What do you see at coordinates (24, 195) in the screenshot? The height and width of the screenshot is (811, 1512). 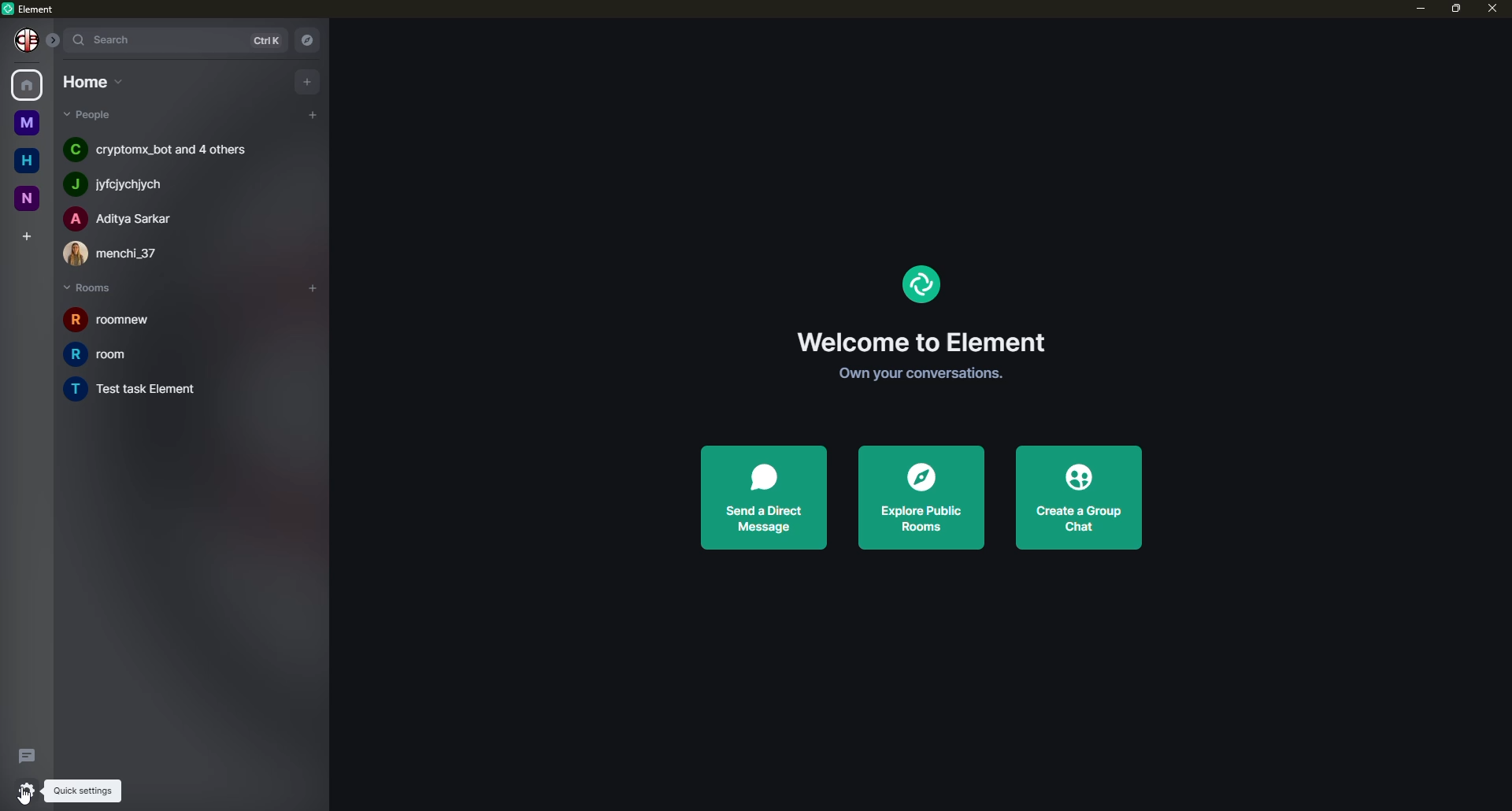 I see `new` at bounding box center [24, 195].